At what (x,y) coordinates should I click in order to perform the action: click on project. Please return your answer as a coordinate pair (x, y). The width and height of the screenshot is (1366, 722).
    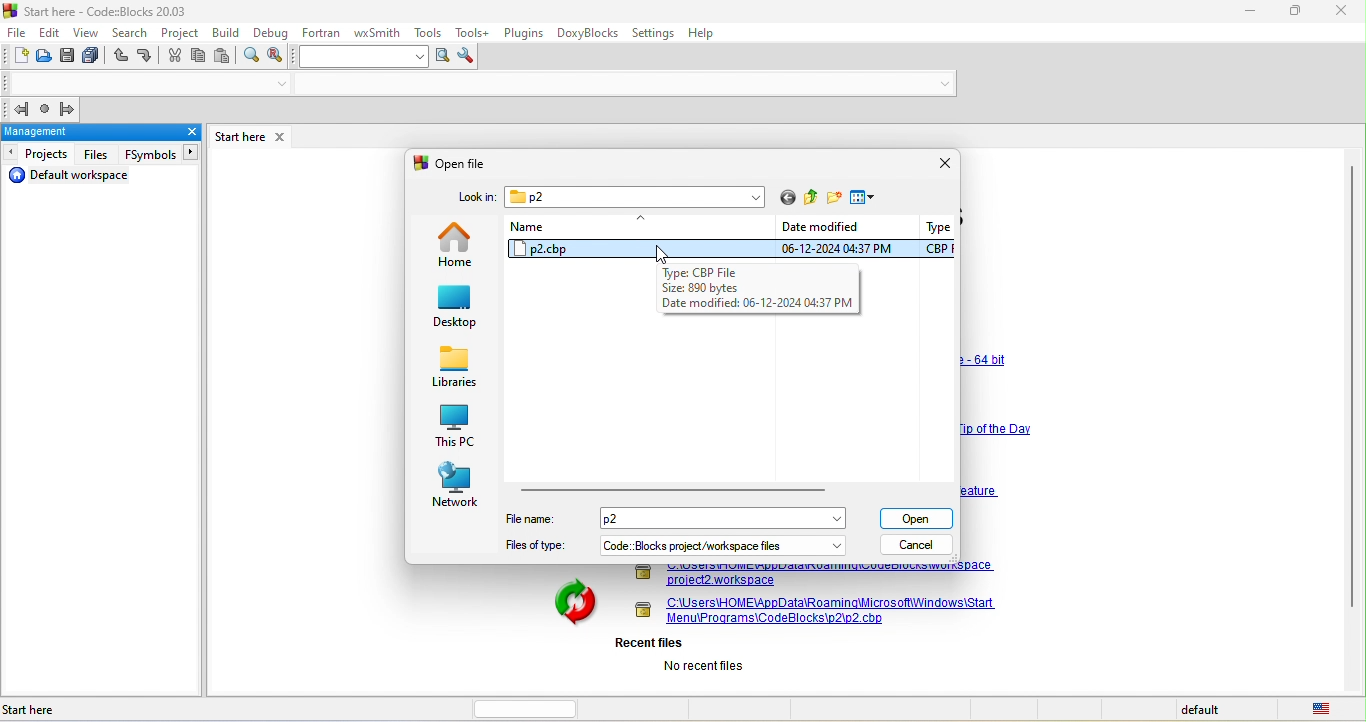
    Looking at the image, I should click on (180, 33).